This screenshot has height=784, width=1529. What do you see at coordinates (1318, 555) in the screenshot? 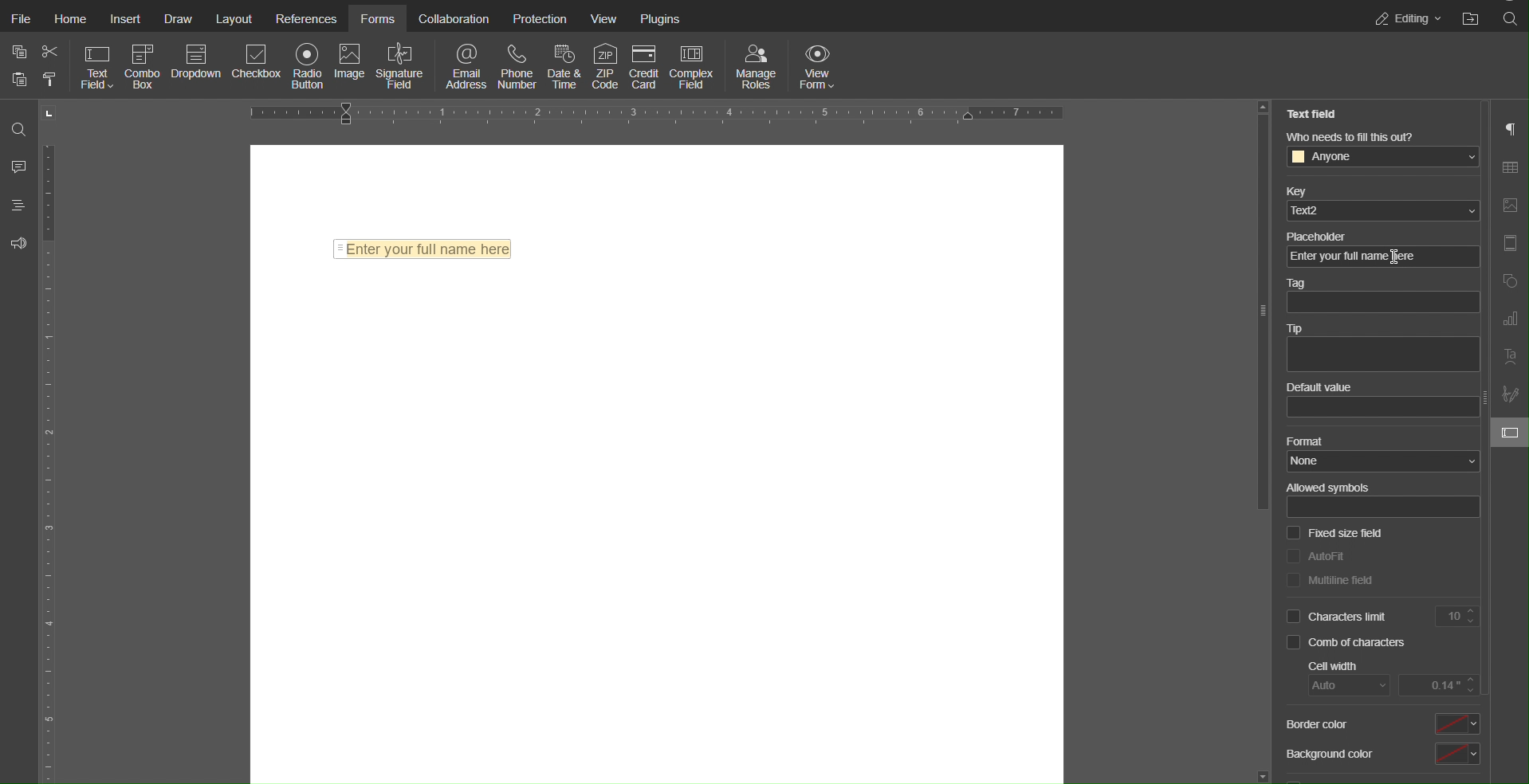
I see `Autofit` at bounding box center [1318, 555].